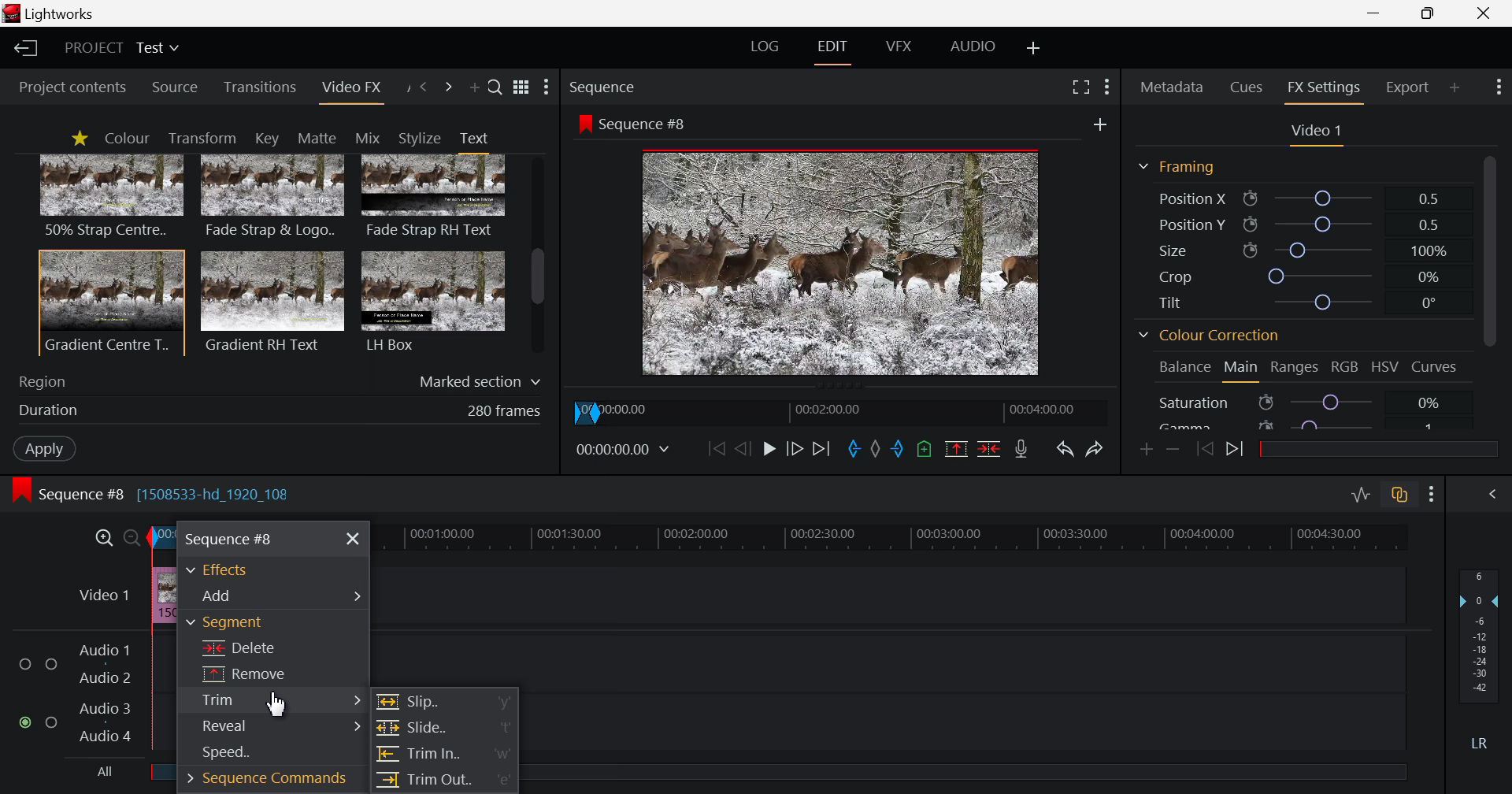 This screenshot has height=794, width=1512. What do you see at coordinates (261, 87) in the screenshot?
I see `Transitions` at bounding box center [261, 87].